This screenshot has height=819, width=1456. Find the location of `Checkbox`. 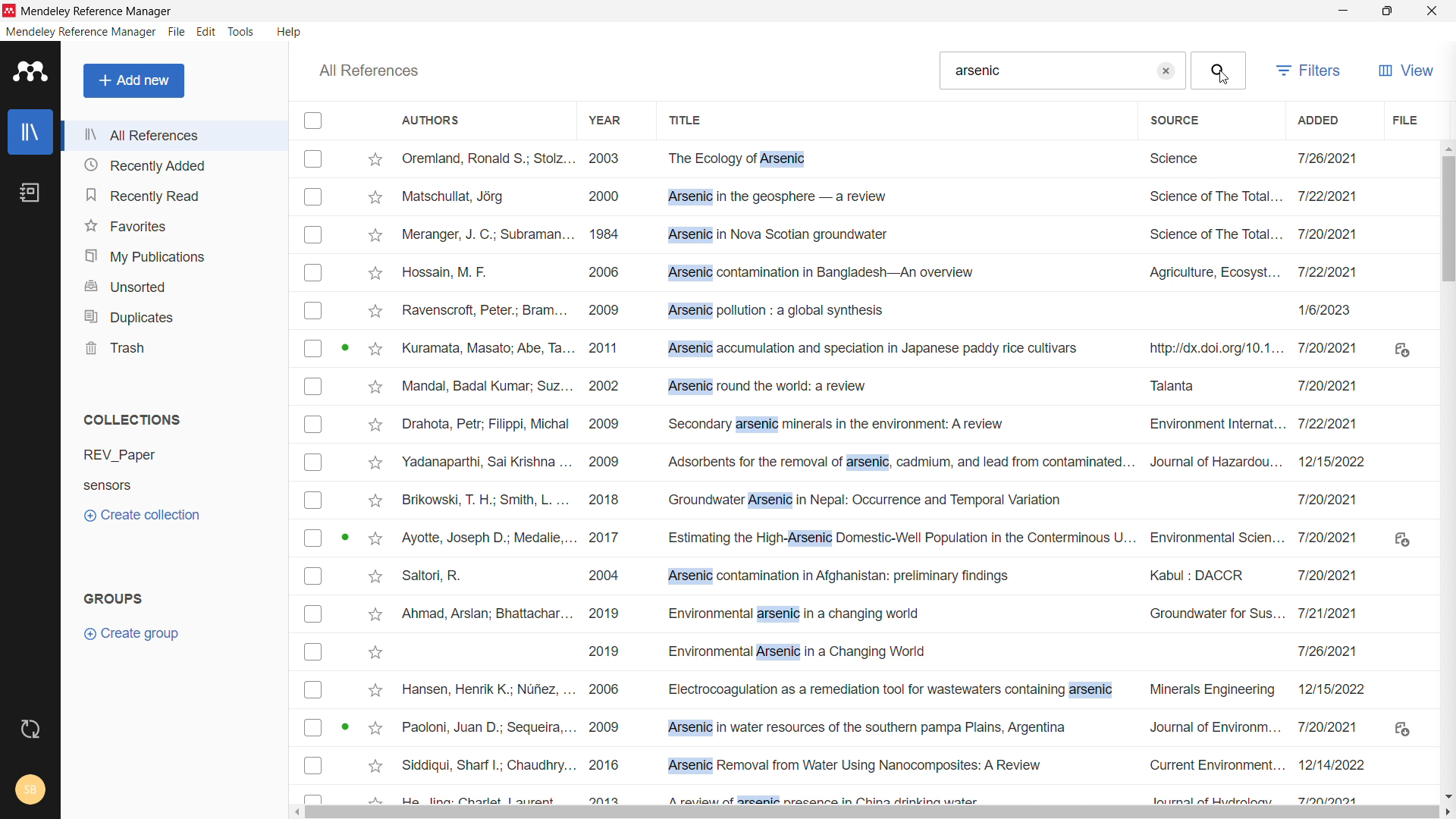

Checkbox is located at coordinates (313, 311).